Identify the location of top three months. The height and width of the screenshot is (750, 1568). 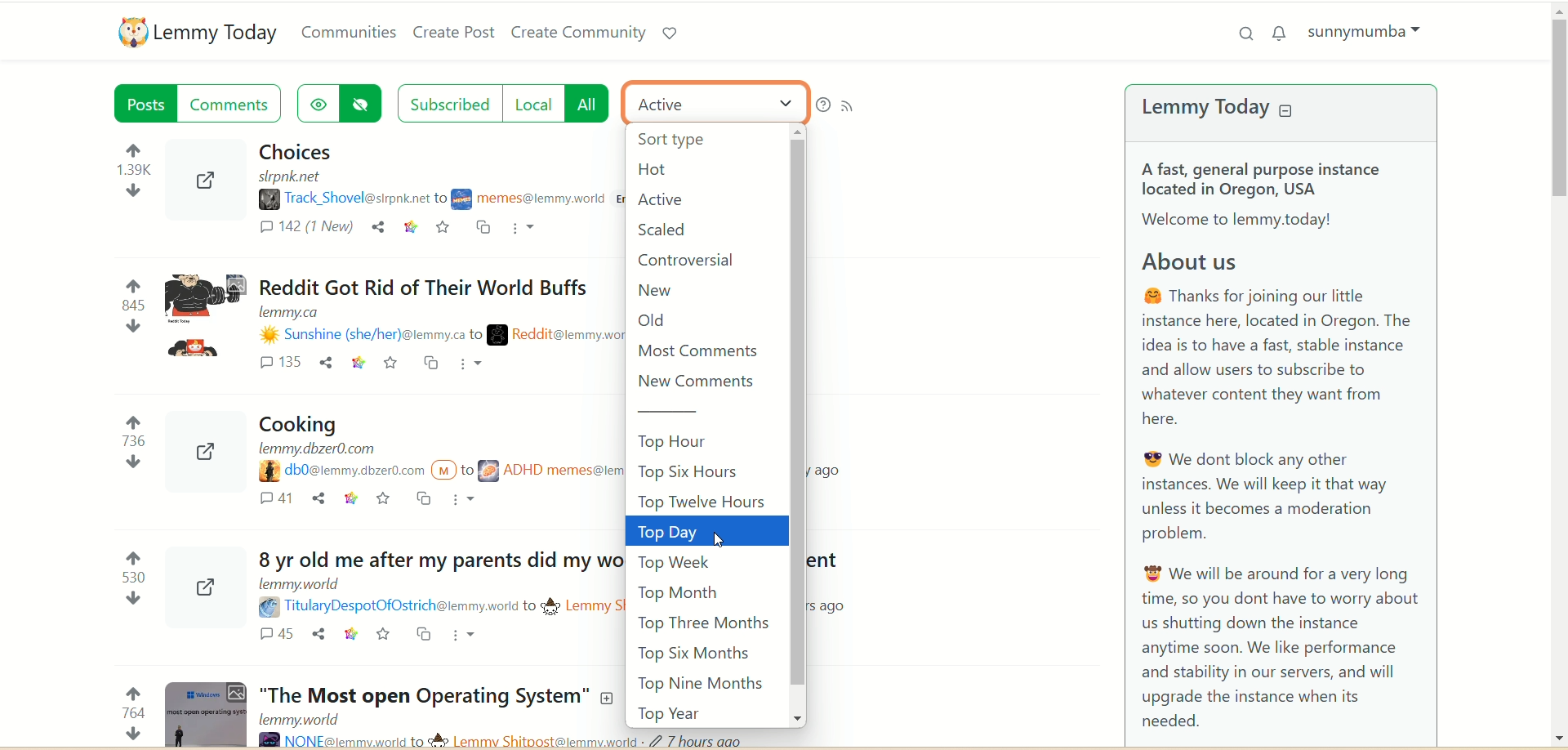
(703, 624).